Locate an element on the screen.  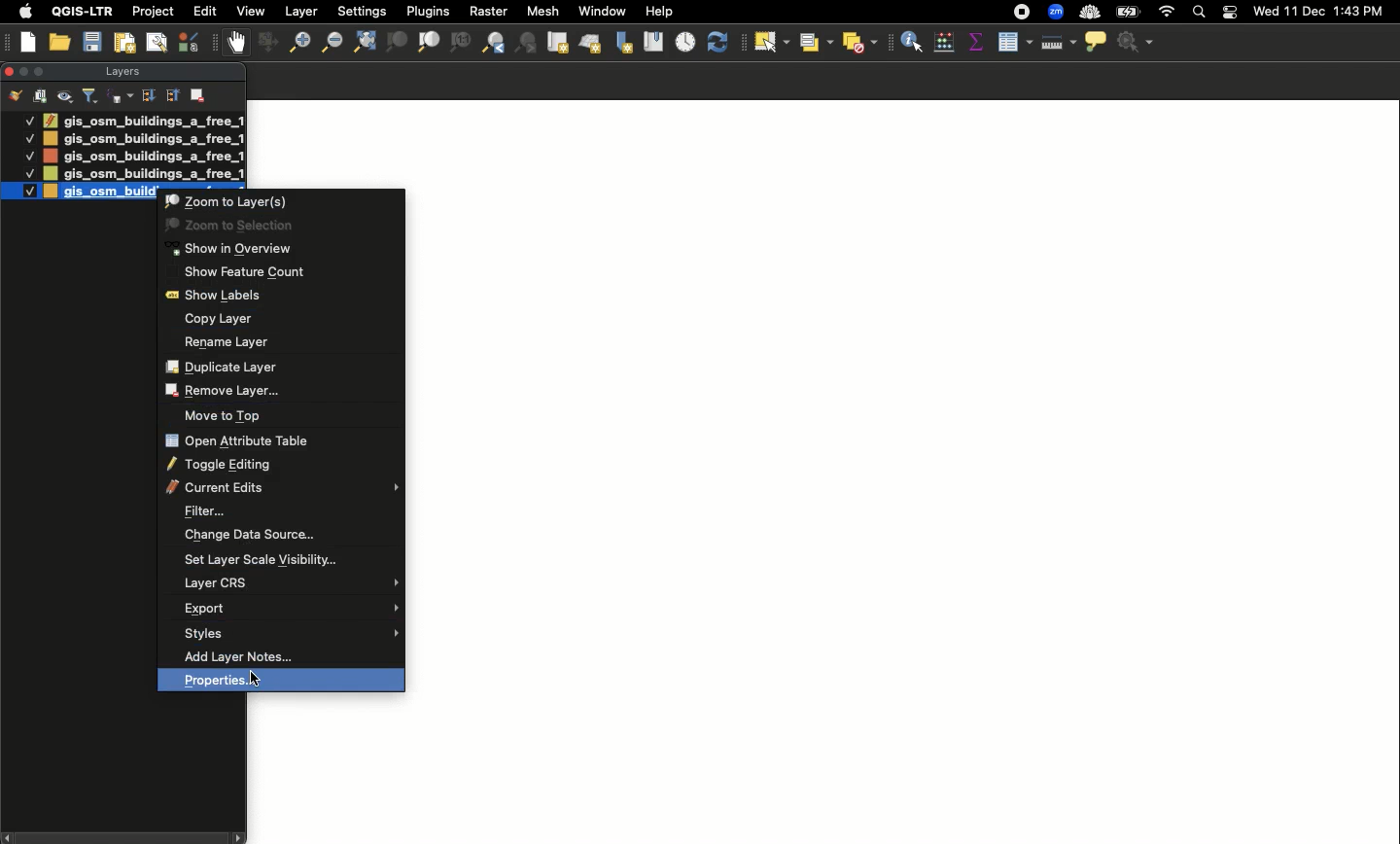
Recording is located at coordinates (1022, 13).